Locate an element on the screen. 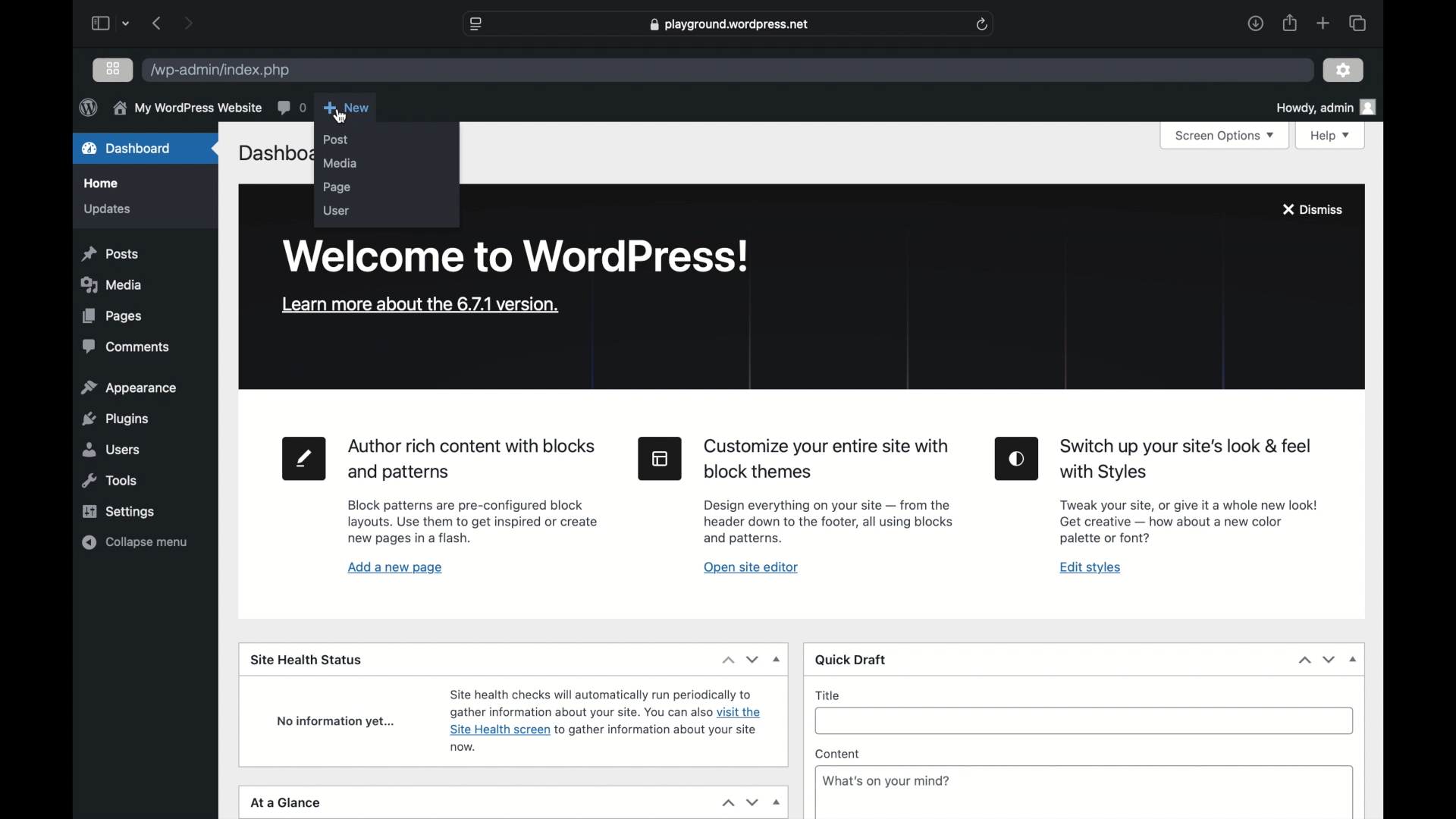 This screenshot has height=819, width=1456. appearance is located at coordinates (128, 387).